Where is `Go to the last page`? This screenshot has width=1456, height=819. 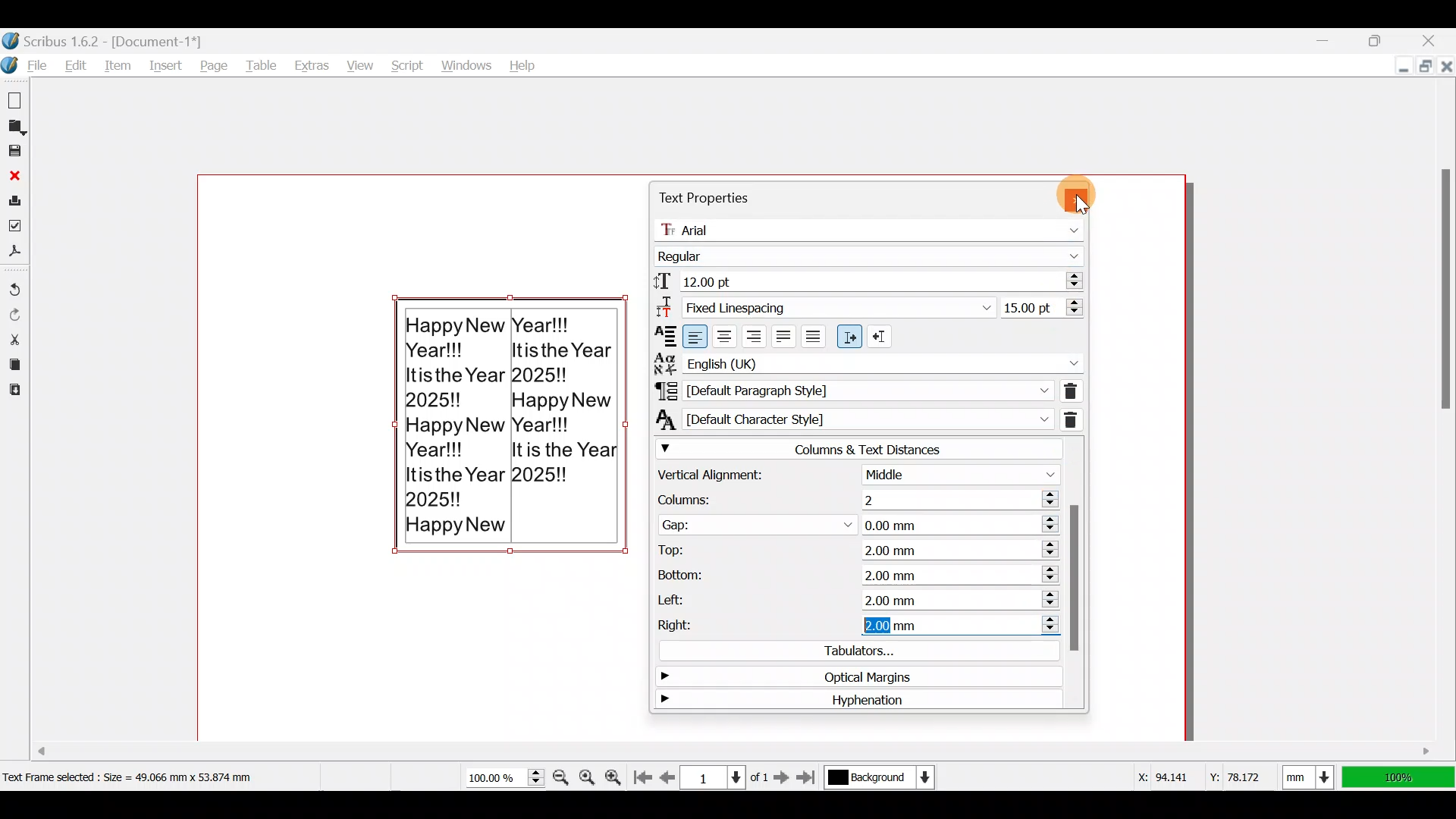 Go to the last page is located at coordinates (808, 777).